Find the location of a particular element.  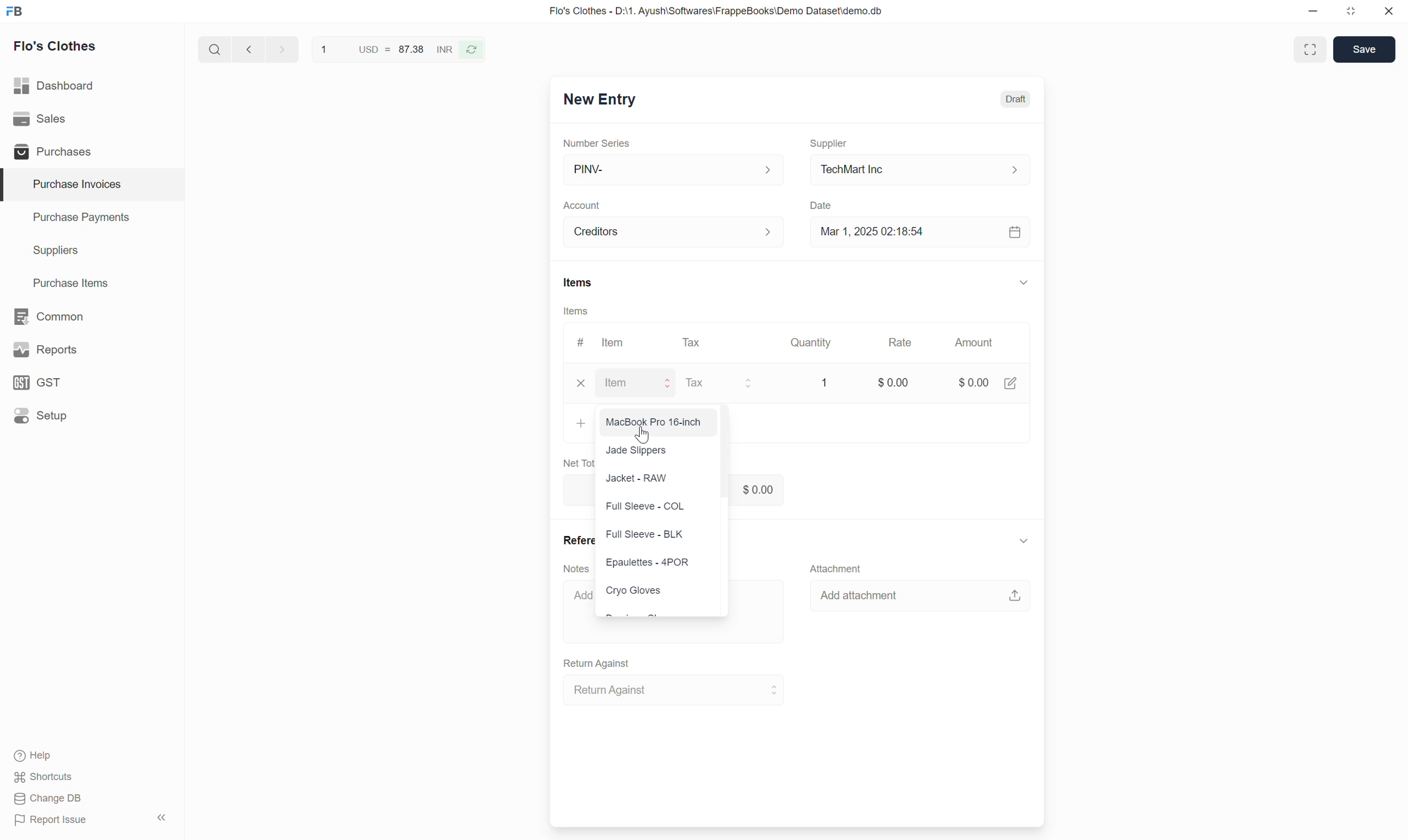

cursor is located at coordinates (647, 435).